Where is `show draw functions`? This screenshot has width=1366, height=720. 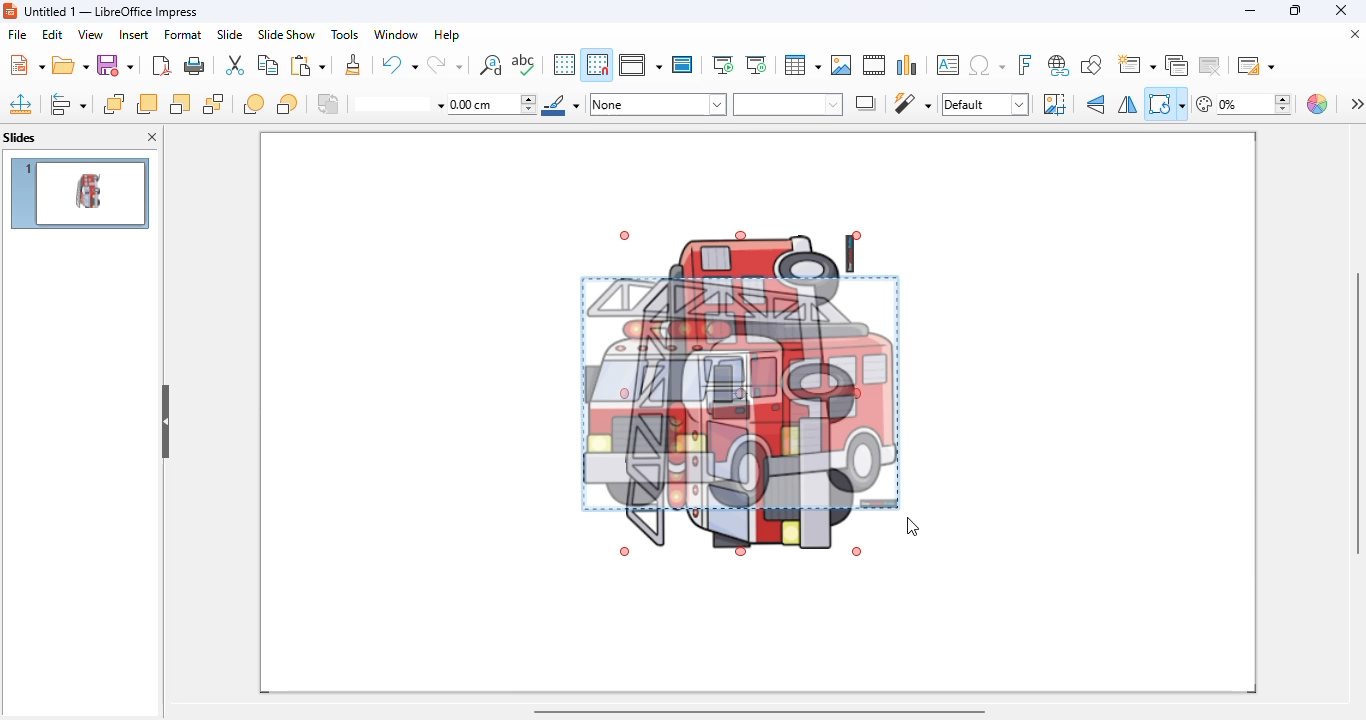
show draw functions is located at coordinates (1092, 65).